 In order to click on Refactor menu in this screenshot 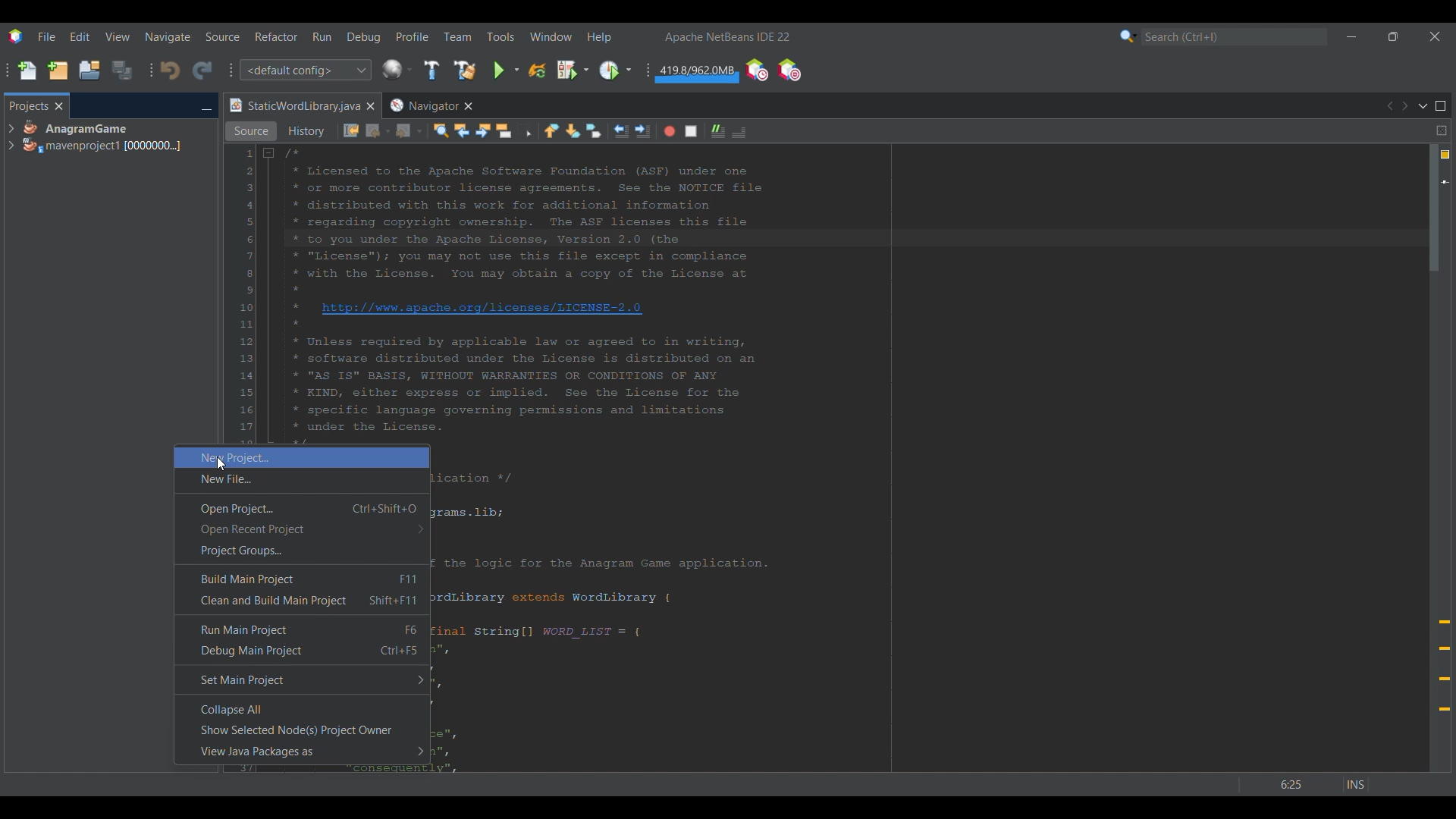, I will do `click(276, 36)`.